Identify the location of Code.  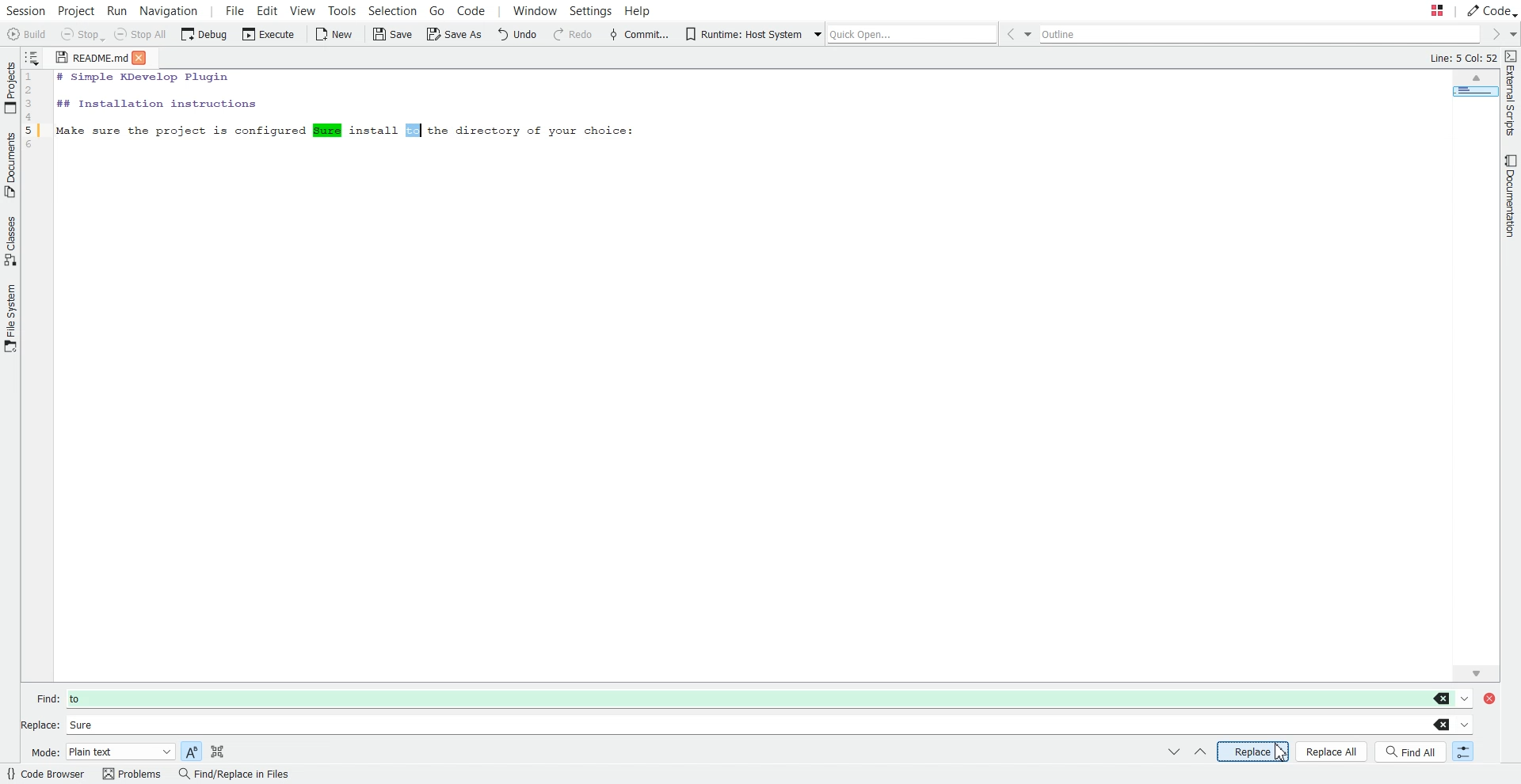
(1491, 10).